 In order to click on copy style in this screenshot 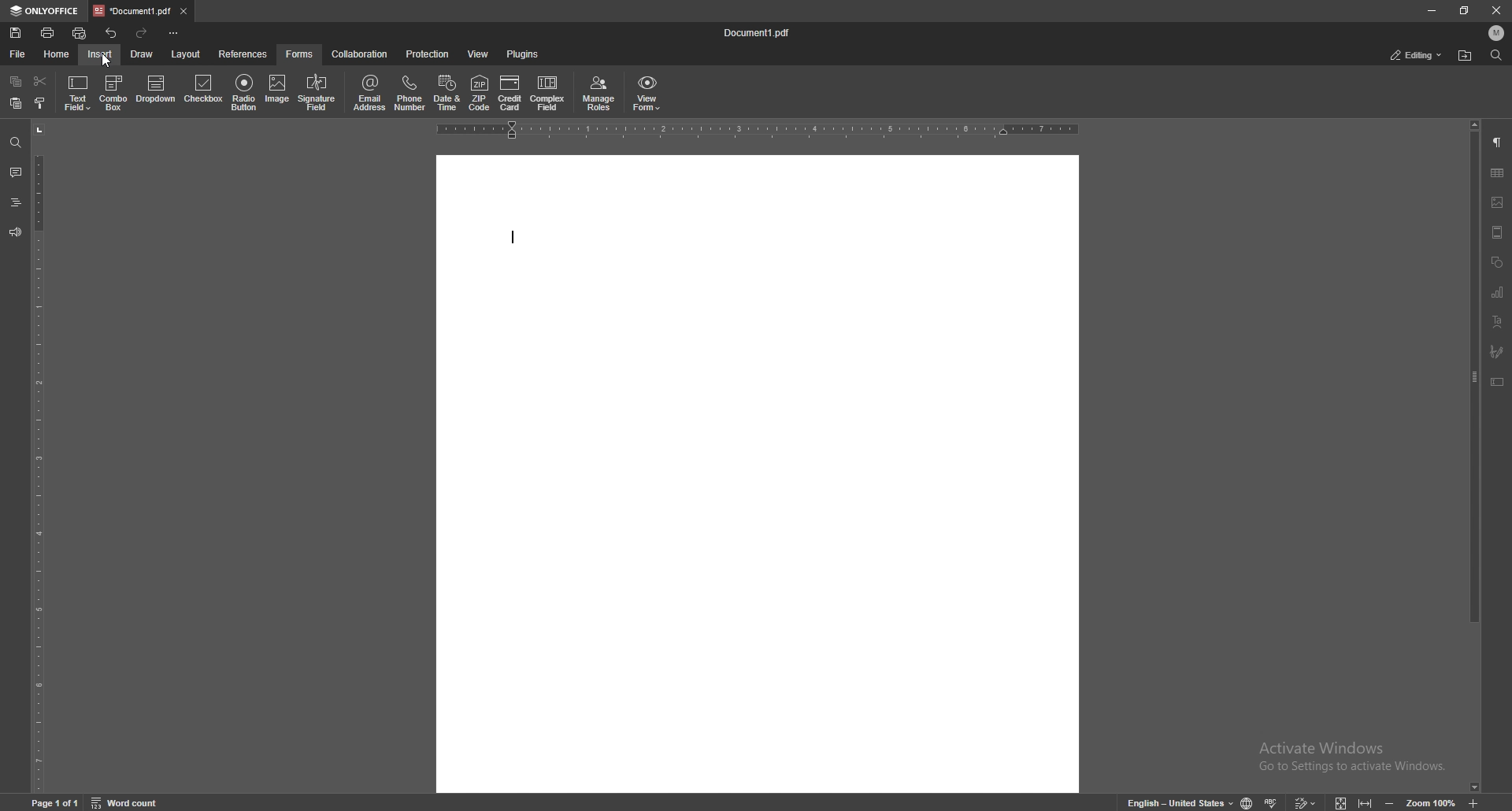, I will do `click(41, 102)`.